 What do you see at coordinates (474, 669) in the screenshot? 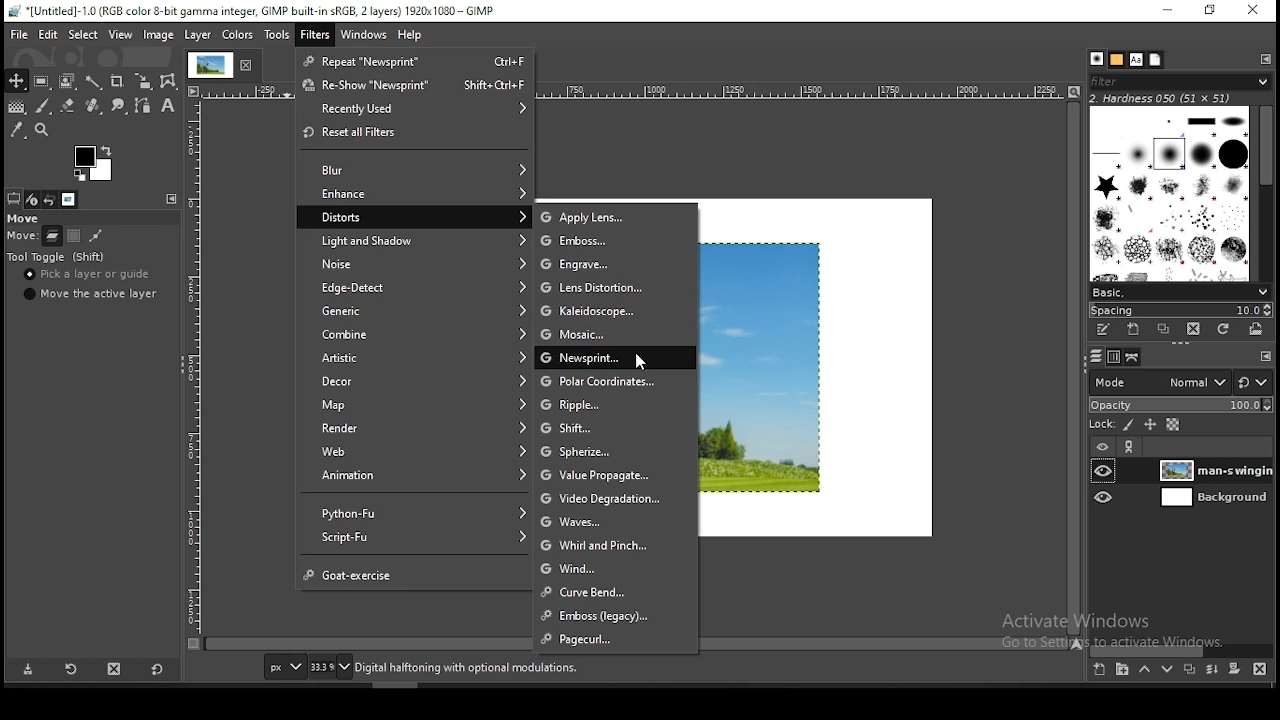
I see `Digital halftoning with optional modulations.` at bounding box center [474, 669].